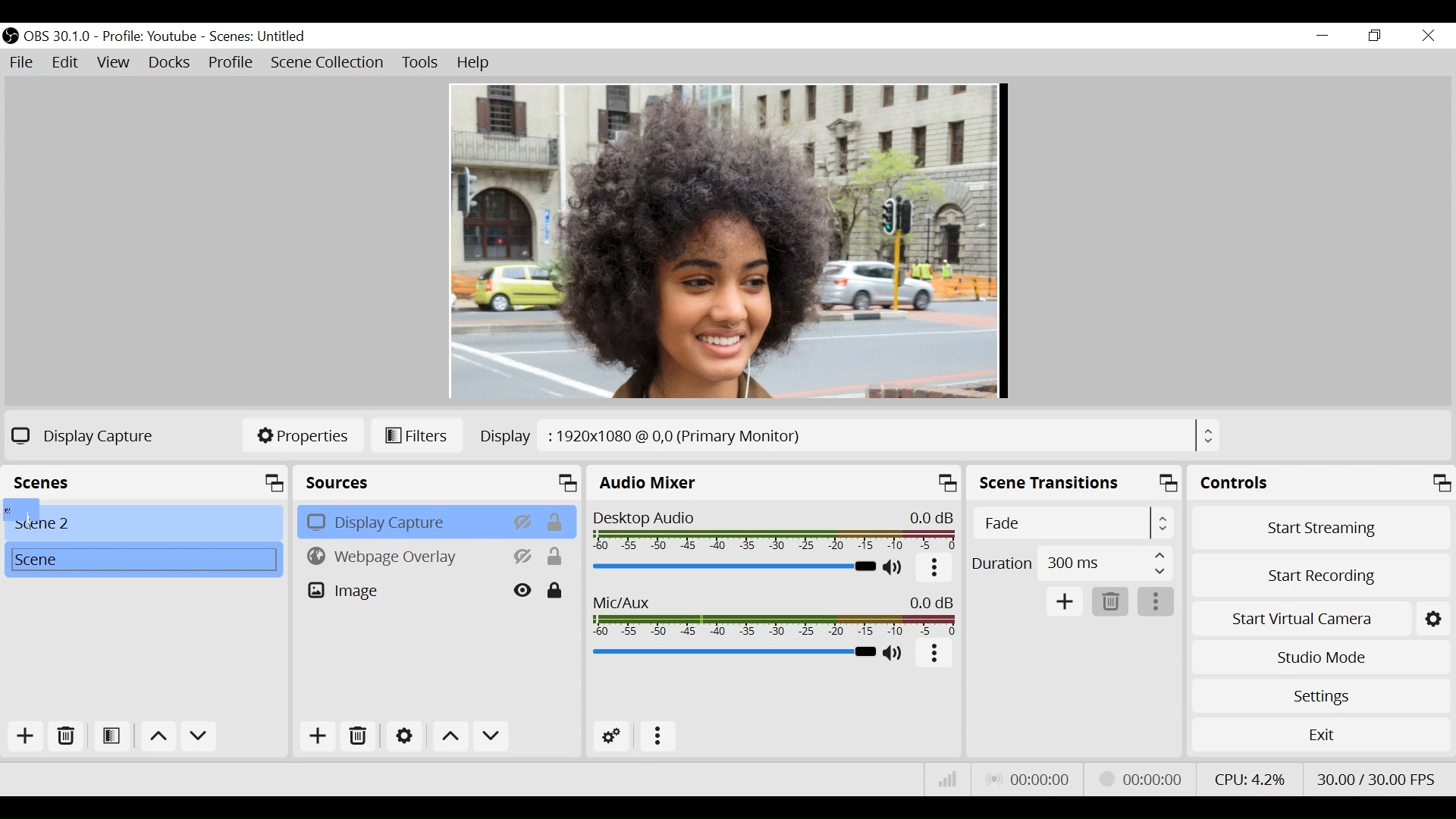  Describe the element at coordinates (302, 436) in the screenshot. I see `Properties` at that location.